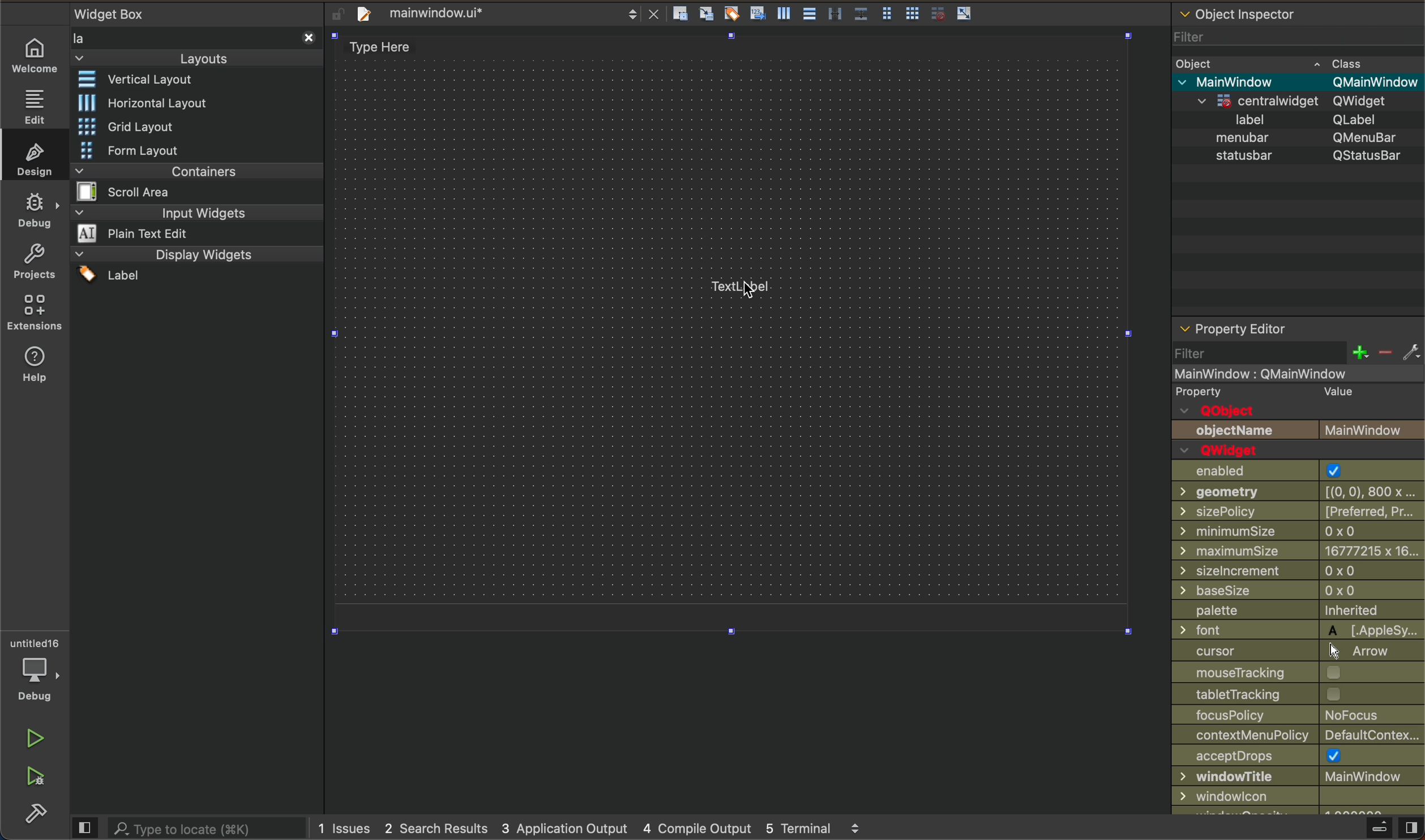 The height and width of the screenshot is (840, 1425). Describe the element at coordinates (1284, 652) in the screenshot. I see `cursor` at that location.